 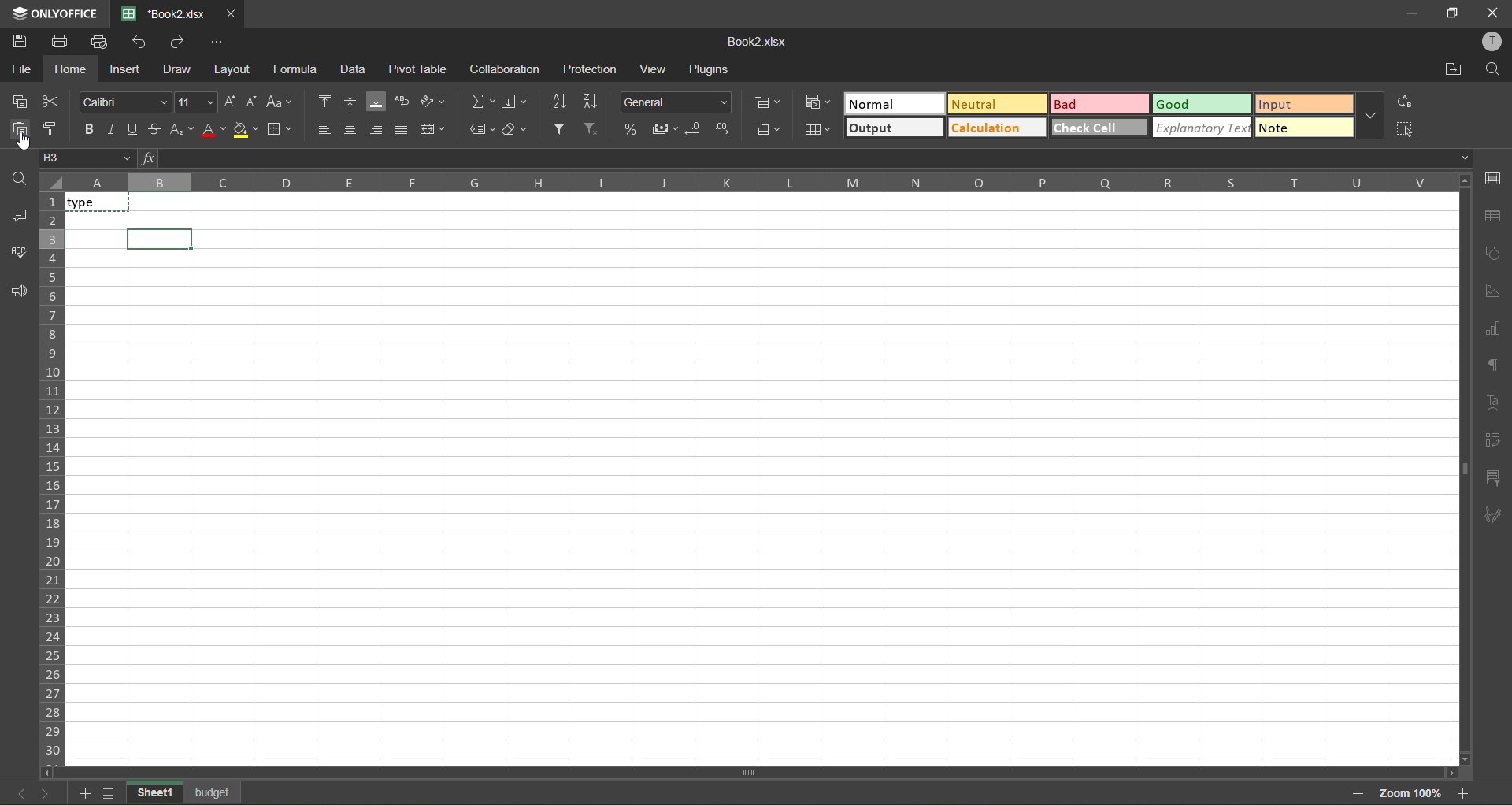 I want to click on protection, so click(x=592, y=68).